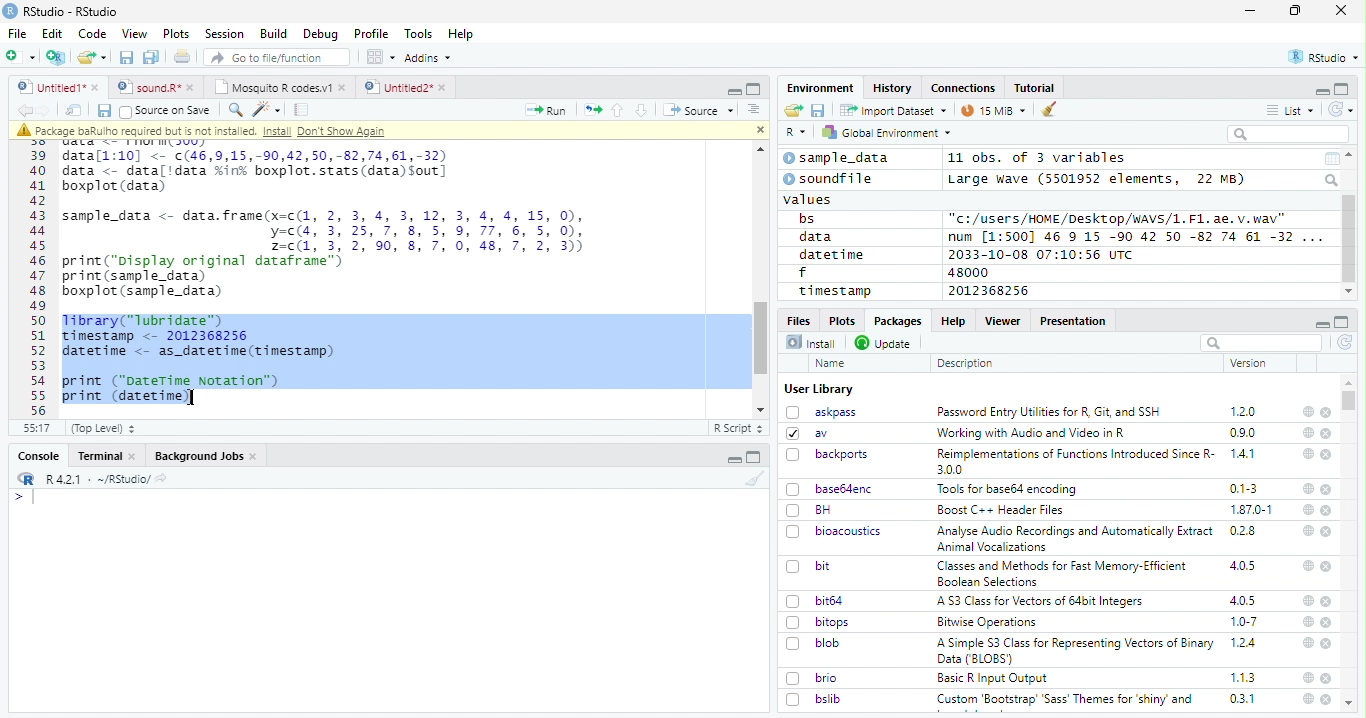  Describe the element at coordinates (819, 111) in the screenshot. I see `Save` at that location.